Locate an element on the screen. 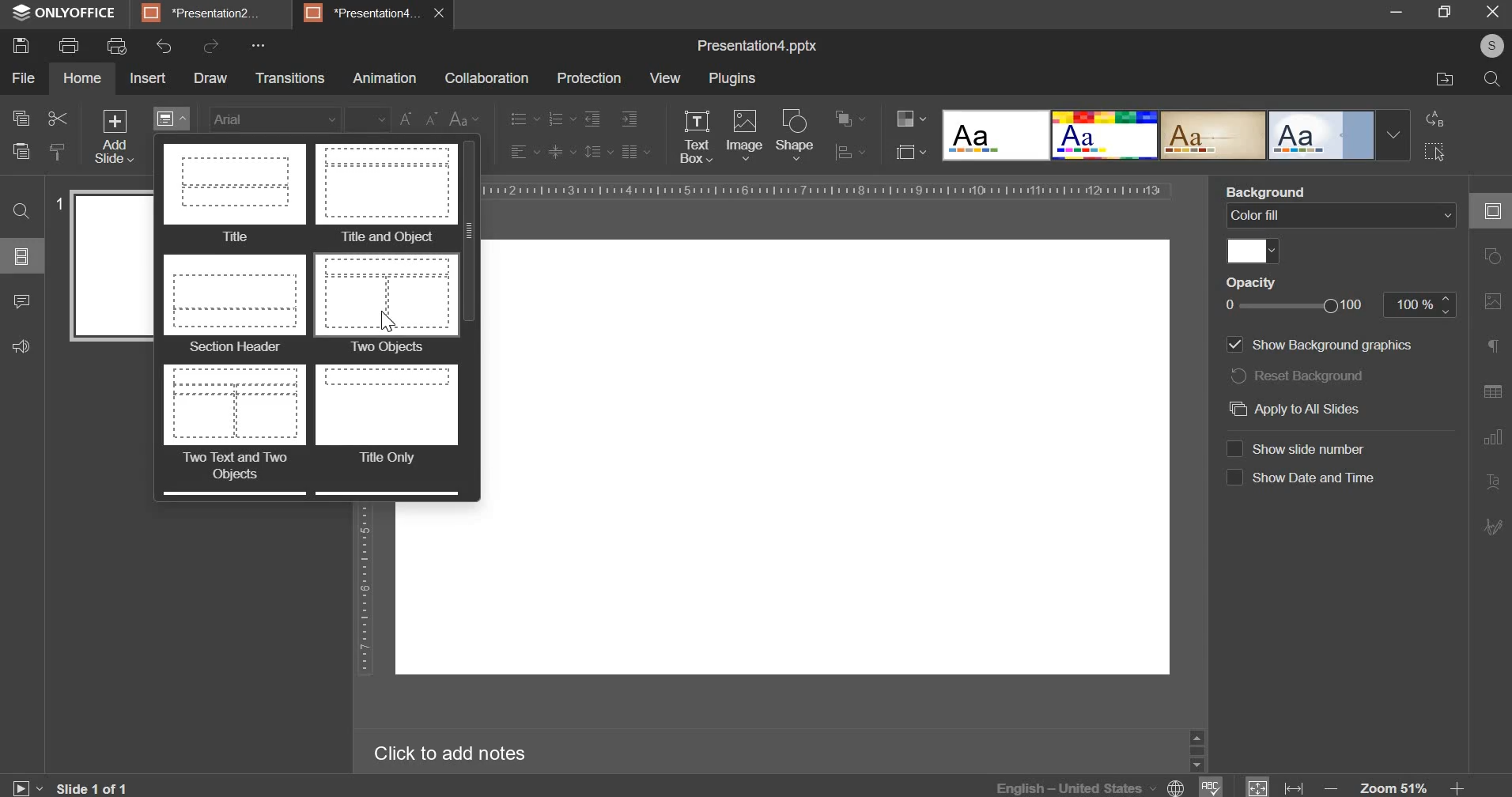  design is located at coordinates (1323, 136).